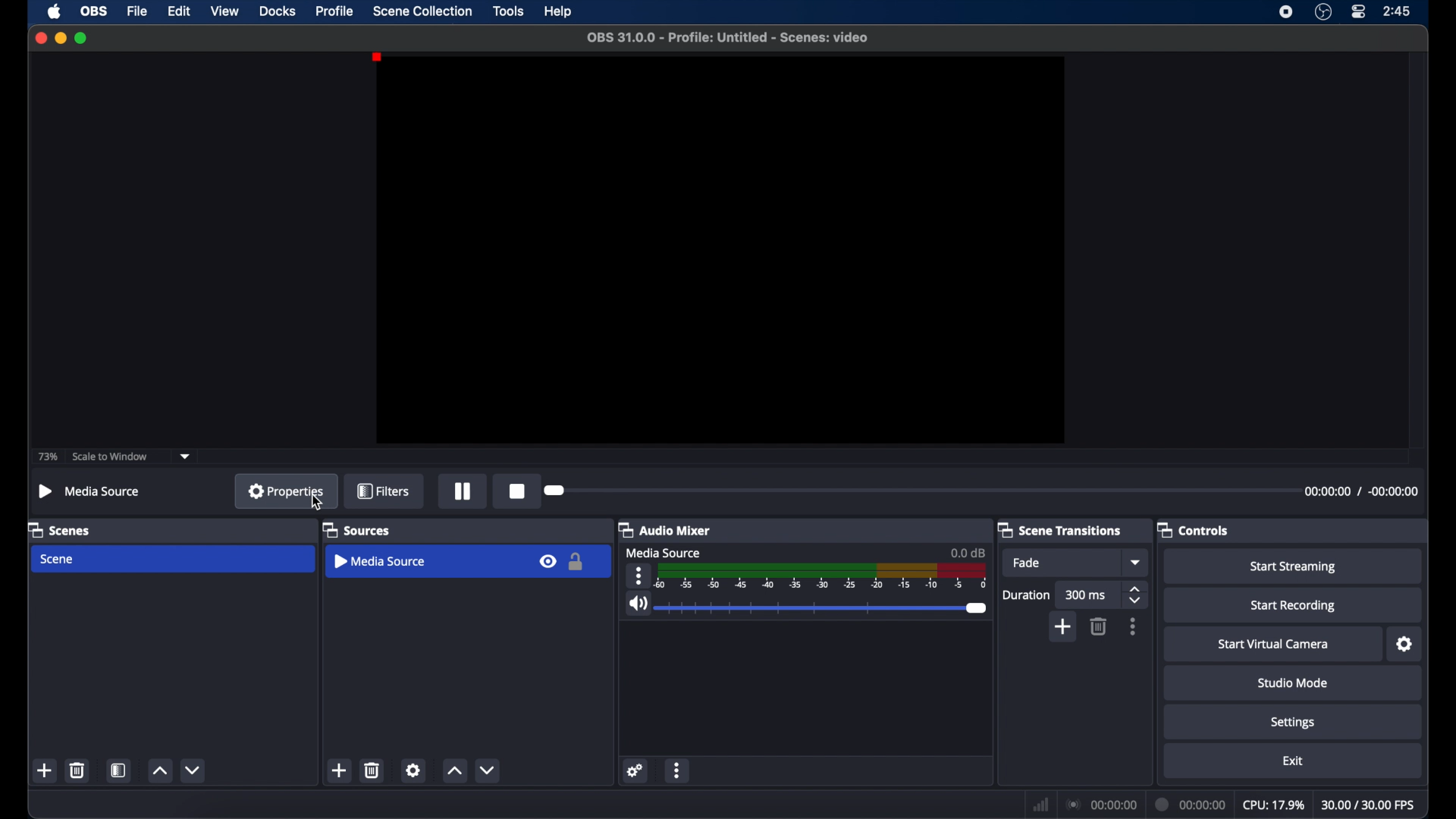 The image size is (1456, 819). Describe the element at coordinates (46, 457) in the screenshot. I see `73%` at that location.